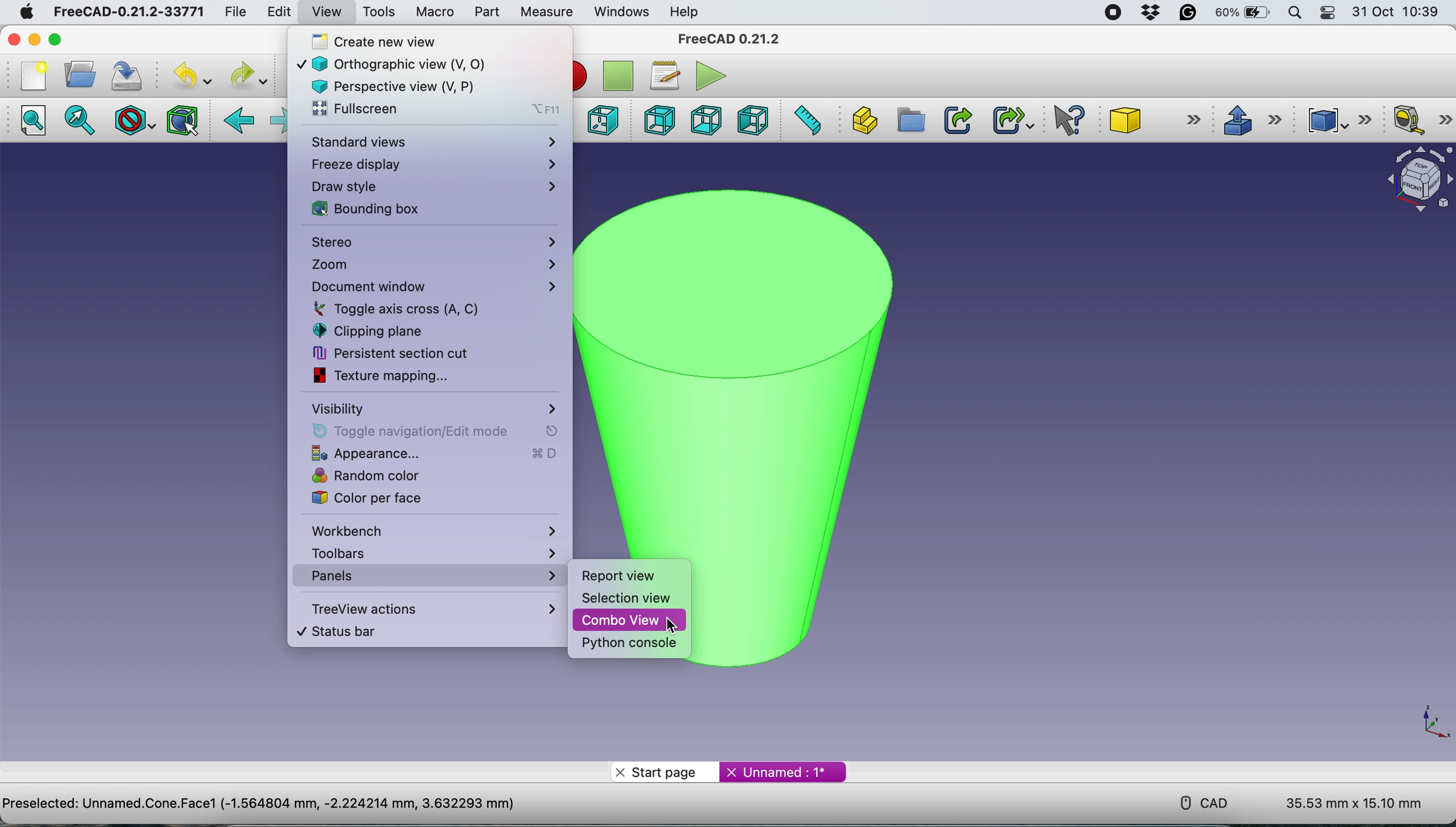 The image size is (1456, 827). What do you see at coordinates (259, 803) in the screenshot?
I see `preselected: unnamed.cone.face1 (-1.564804 mm, -2.224214 mm, 3.632293 mm)` at bounding box center [259, 803].